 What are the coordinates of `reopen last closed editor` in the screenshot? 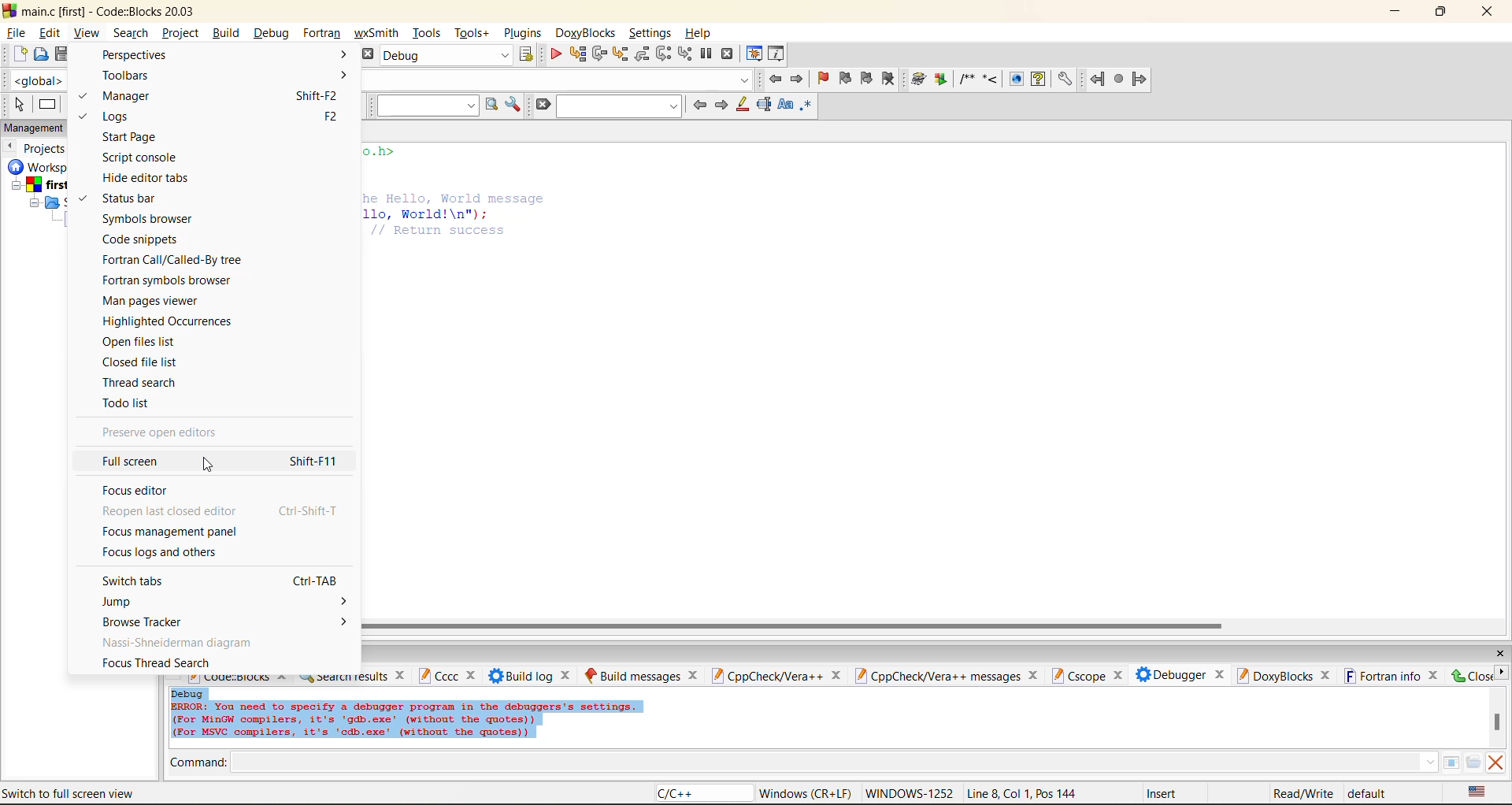 It's located at (224, 512).